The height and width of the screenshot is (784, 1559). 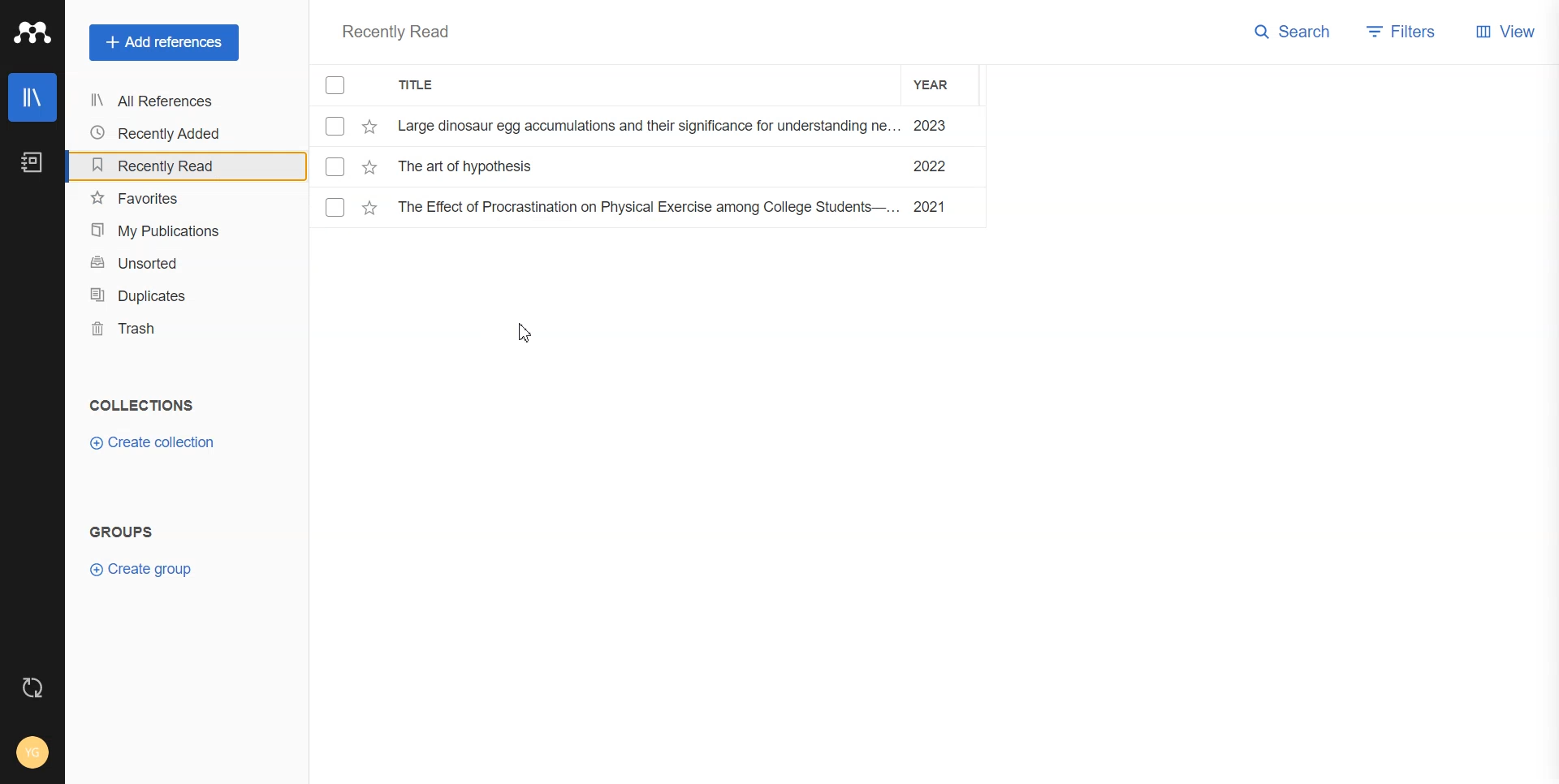 I want to click on Recently Read, so click(x=166, y=165).